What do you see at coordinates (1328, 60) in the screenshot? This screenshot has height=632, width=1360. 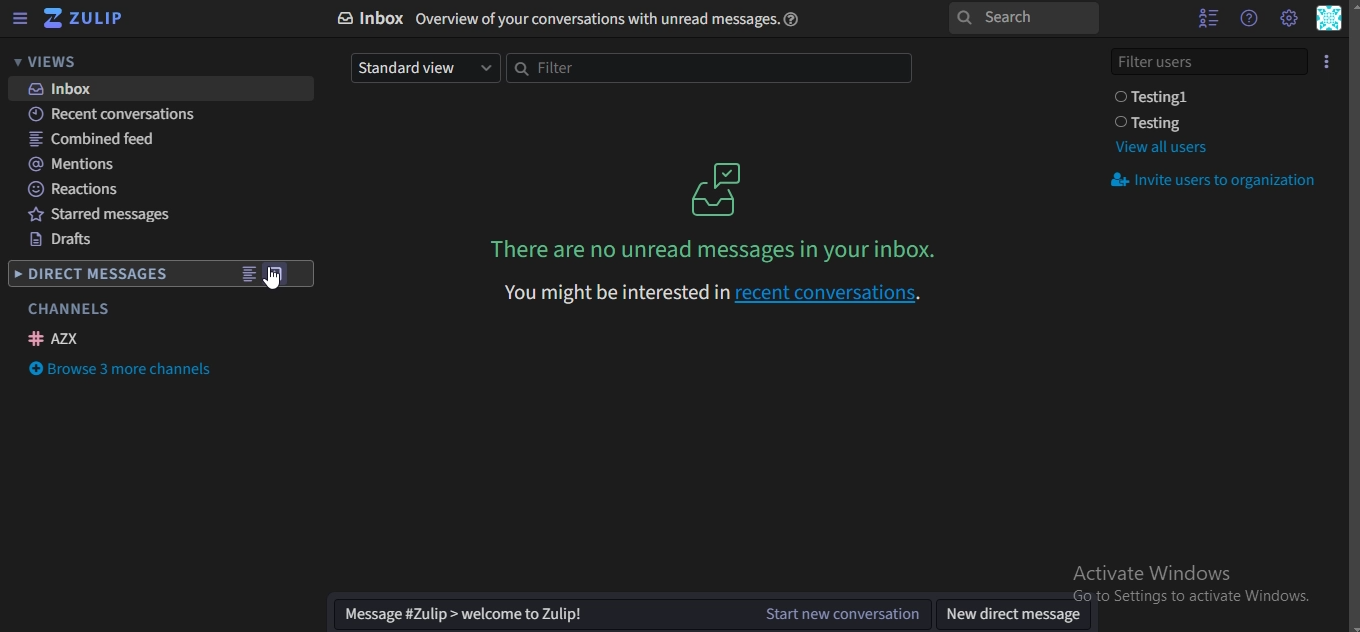 I see `icon` at bounding box center [1328, 60].